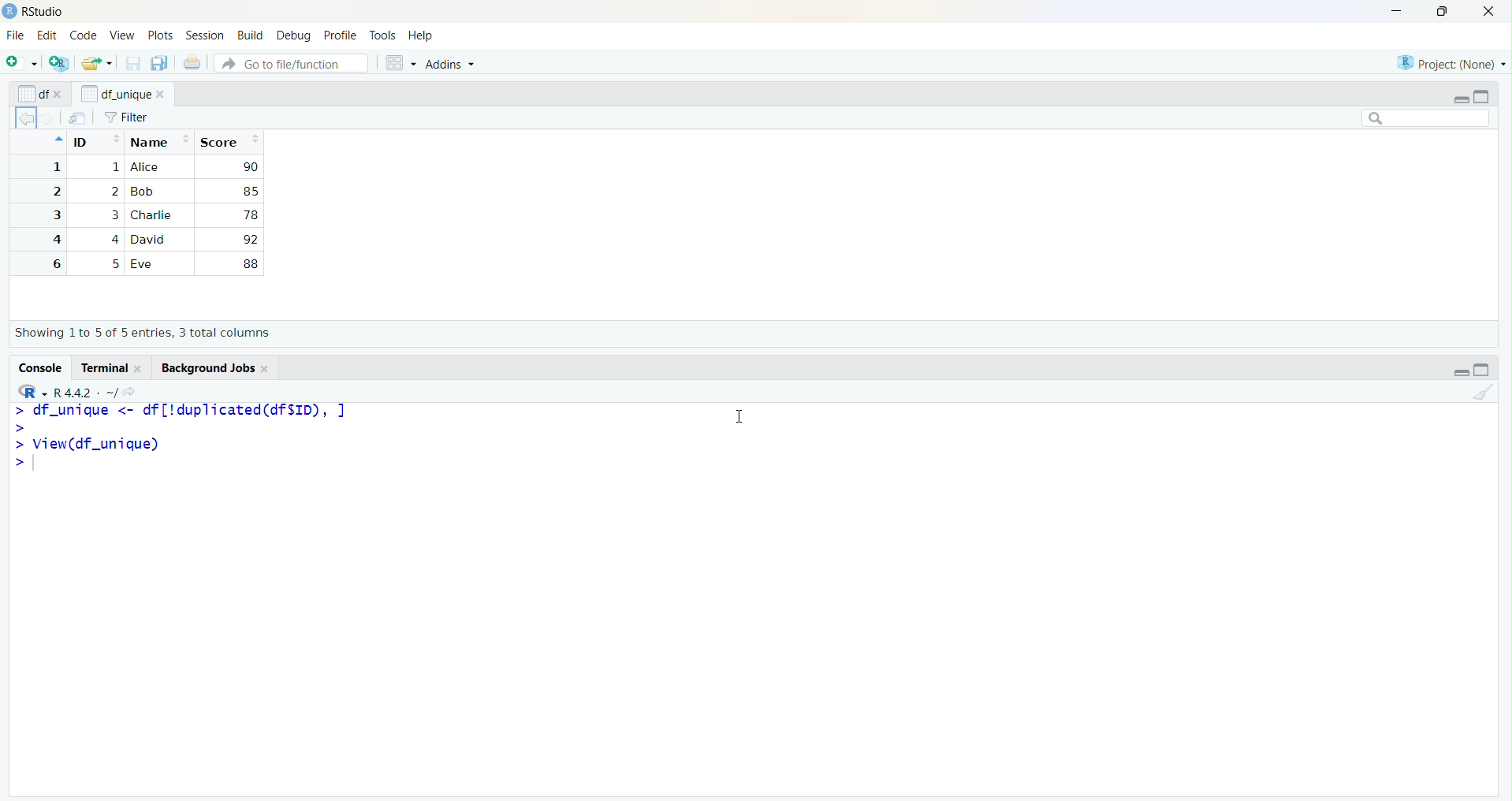 This screenshot has width=1512, height=801. I want to click on background jobs, so click(204, 367).